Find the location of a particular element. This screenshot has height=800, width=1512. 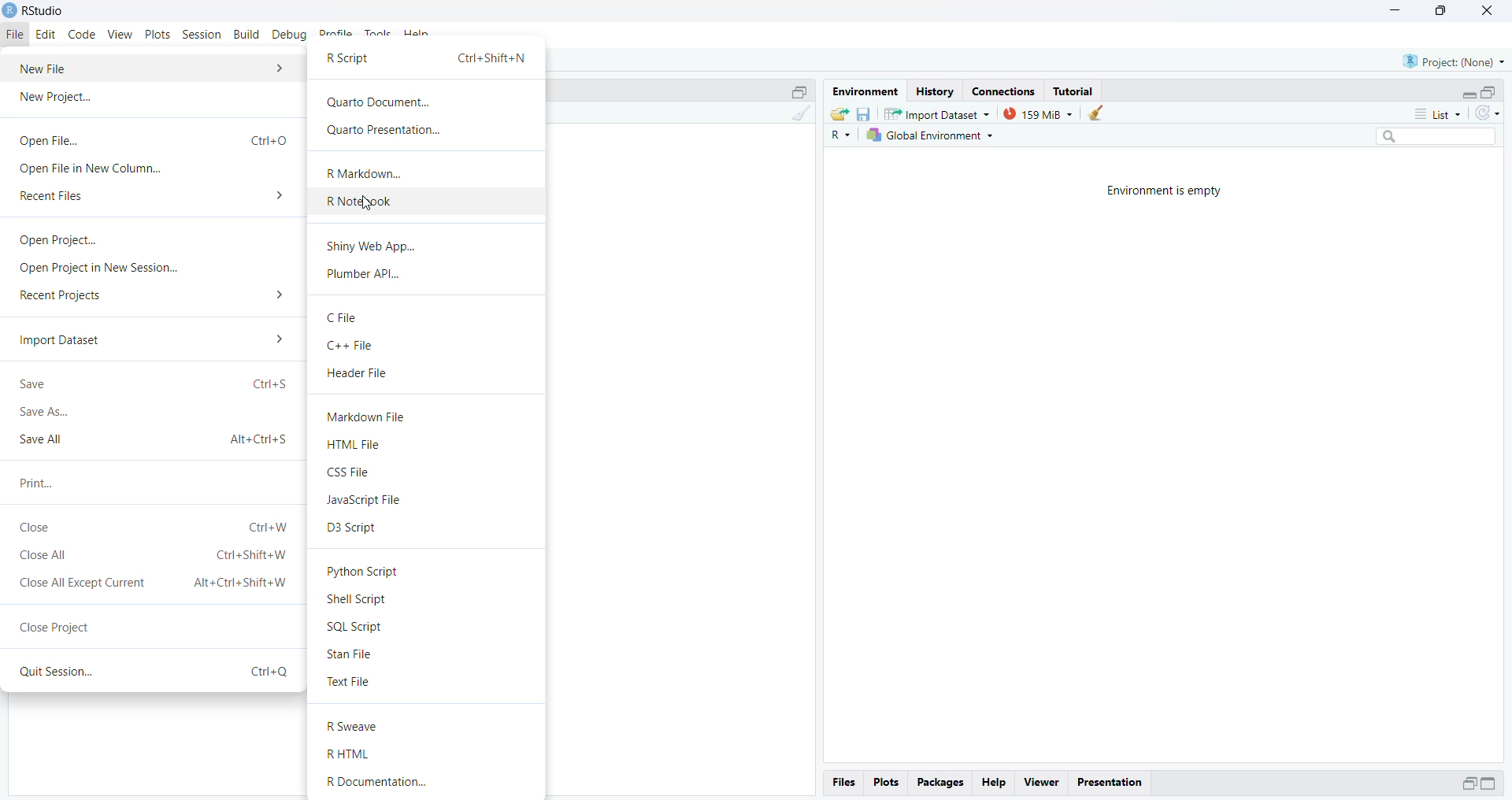

HTML File is located at coordinates (355, 445).